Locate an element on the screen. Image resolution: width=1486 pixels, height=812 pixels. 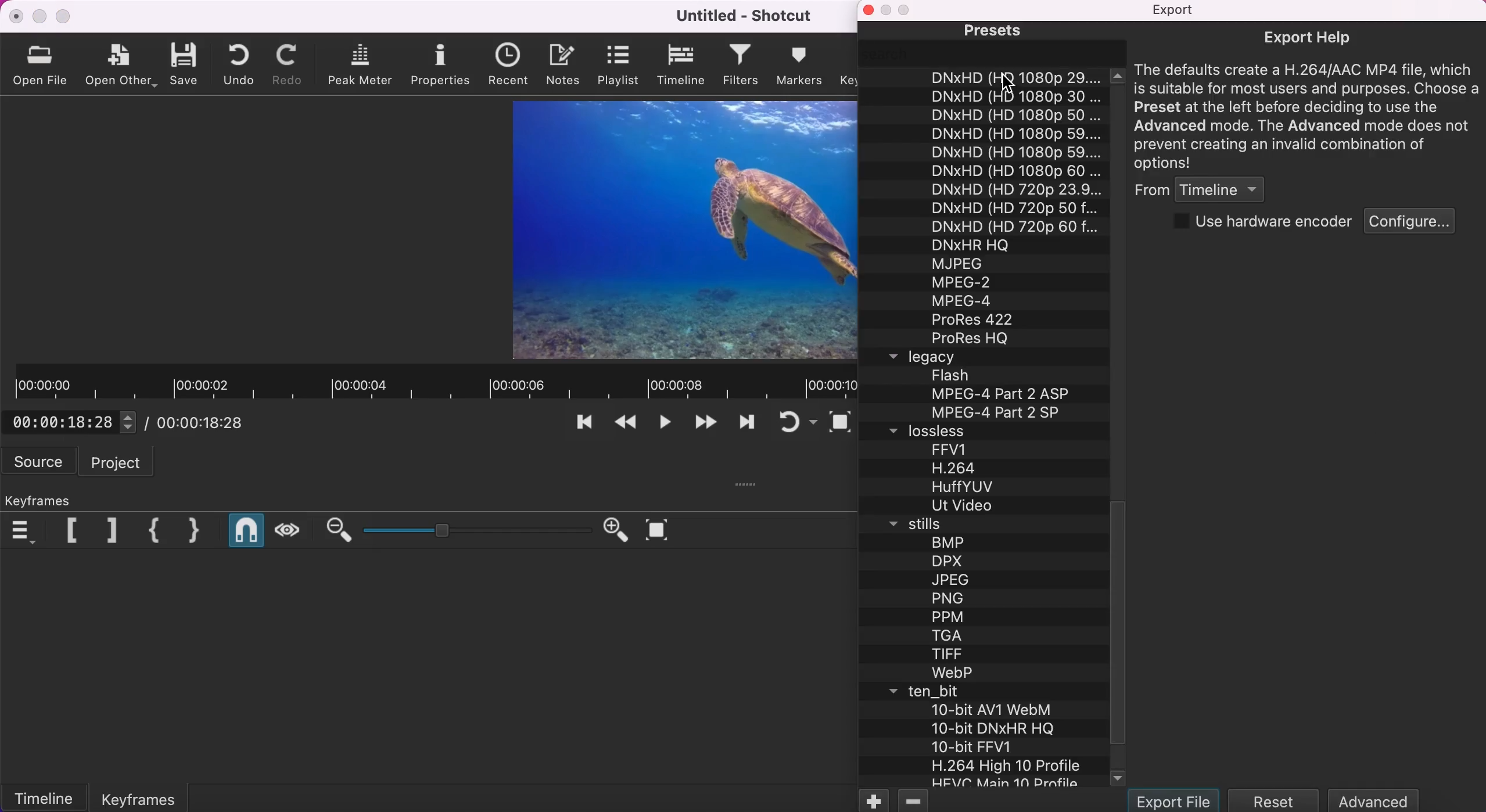
six suspensory points is located at coordinates (748, 486).